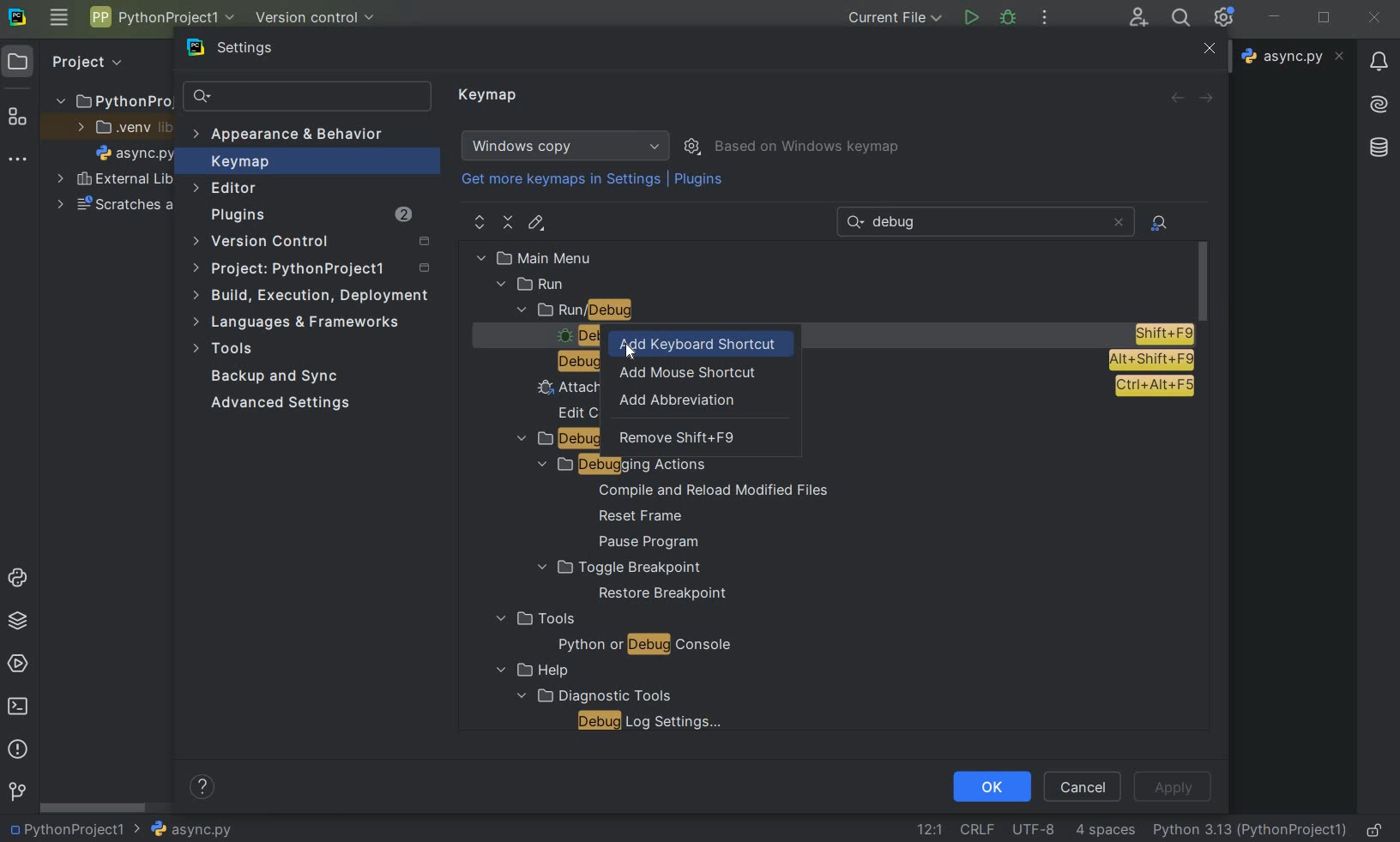  What do you see at coordinates (314, 271) in the screenshot?
I see `project` at bounding box center [314, 271].